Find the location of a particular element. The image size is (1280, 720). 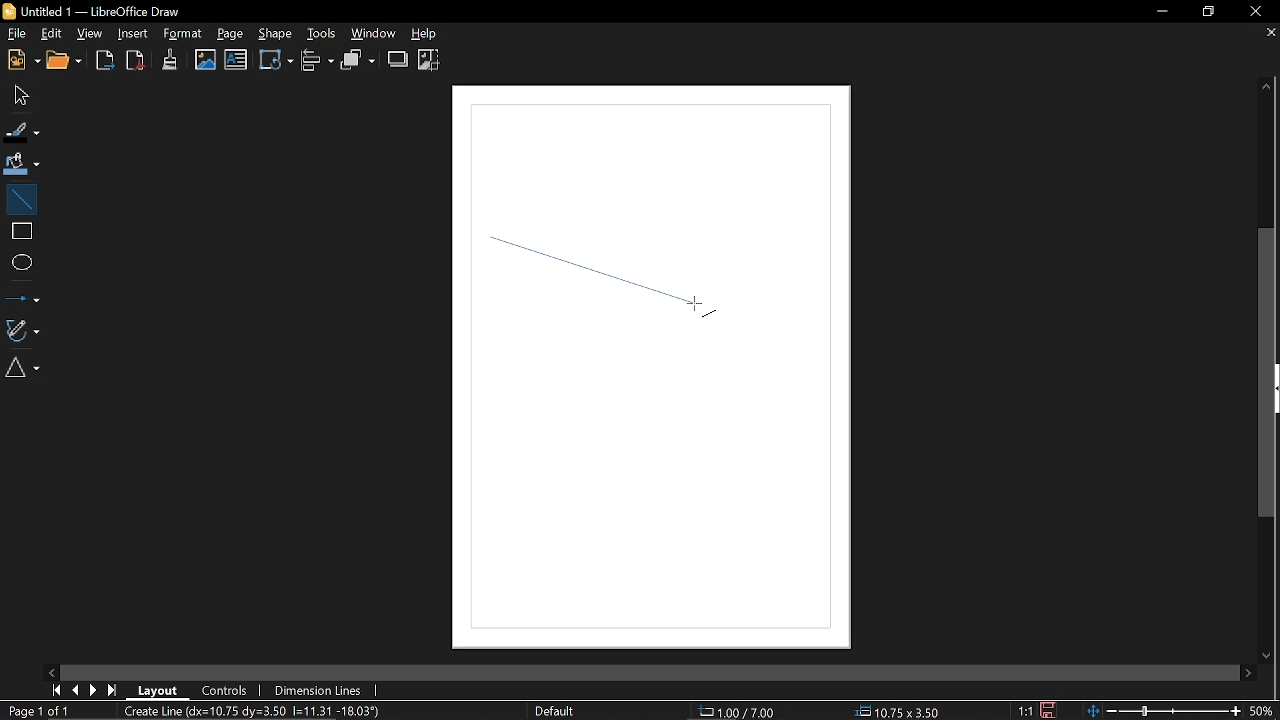

Insert  is located at coordinates (130, 34).